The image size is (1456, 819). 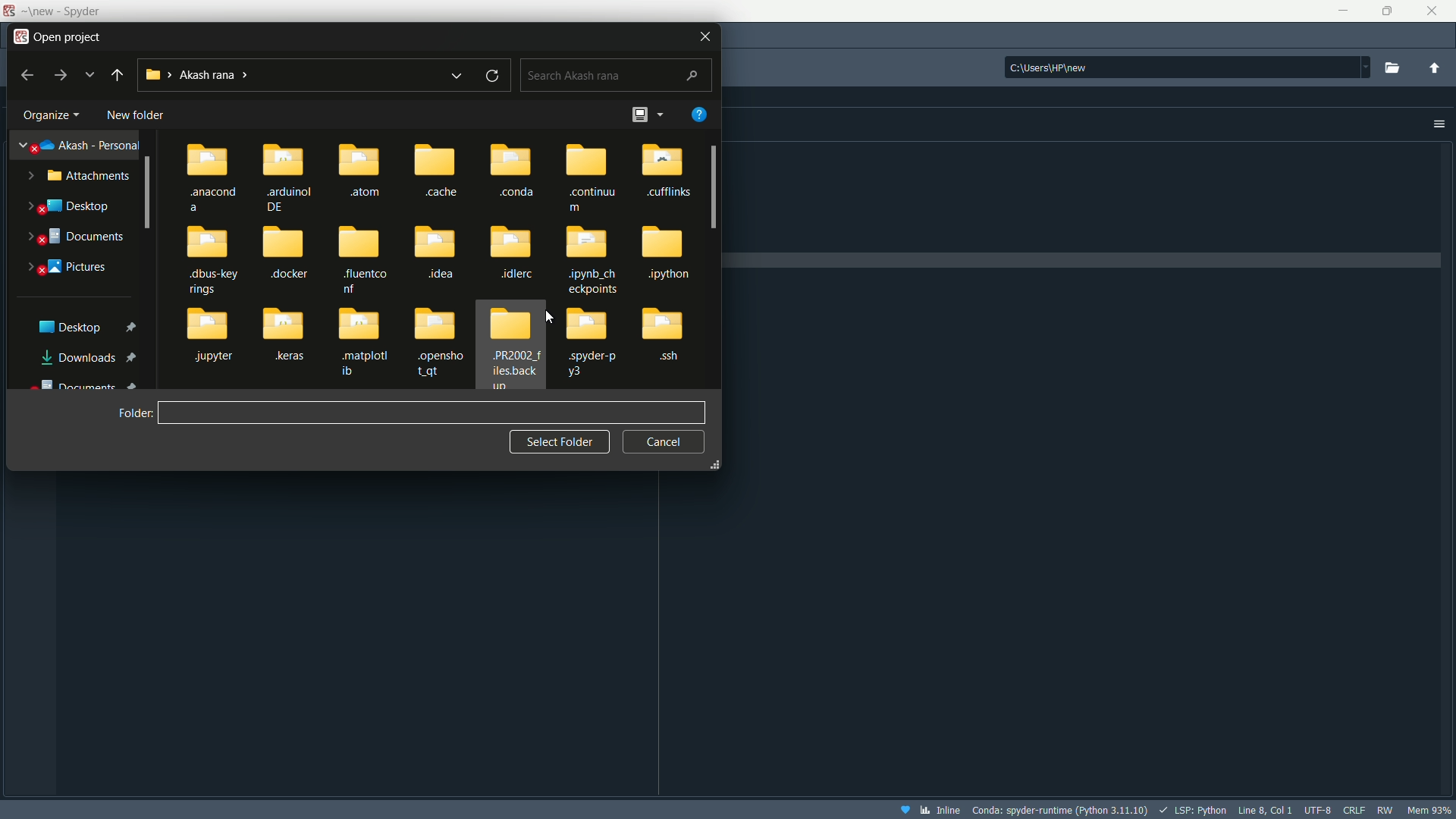 What do you see at coordinates (49, 117) in the screenshot?
I see `organize` at bounding box center [49, 117].